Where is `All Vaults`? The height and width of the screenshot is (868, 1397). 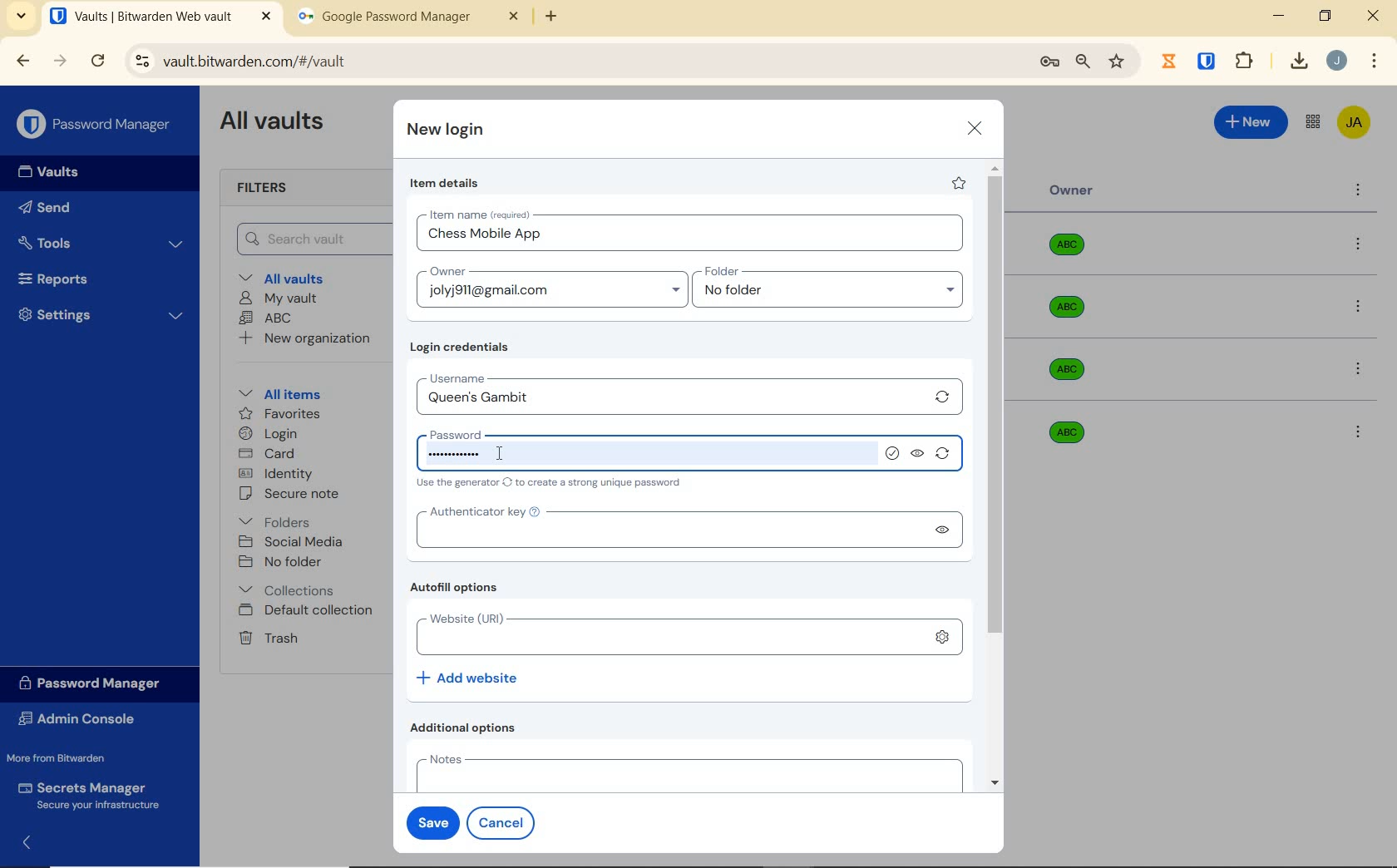 All Vaults is located at coordinates (276, 123).